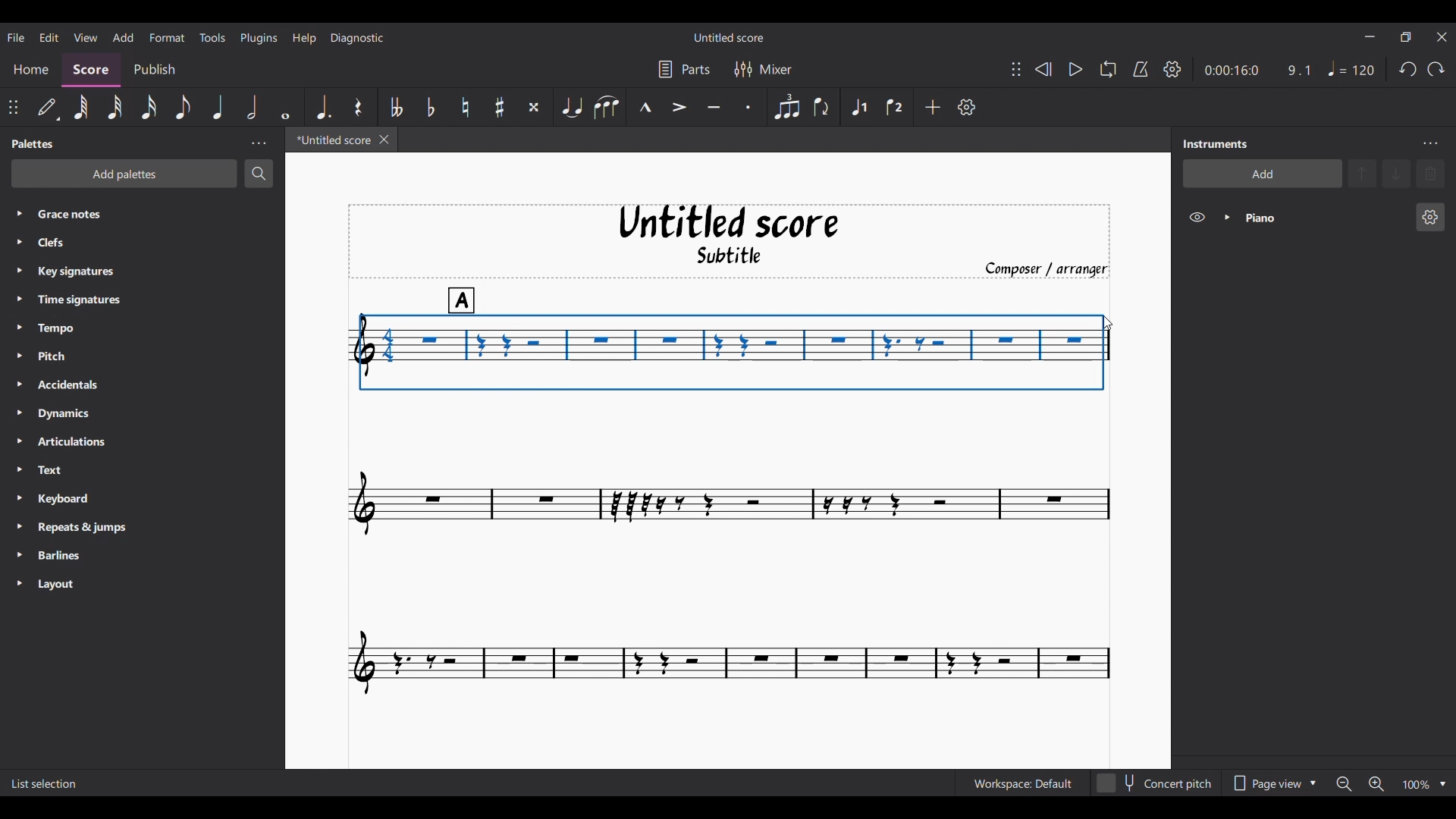 This screenshot has width=1456, height=819. What do you see at coordinates (1351, 68) in the screenshot?
I see `Quarter note` at bounding box center [1351, 68].